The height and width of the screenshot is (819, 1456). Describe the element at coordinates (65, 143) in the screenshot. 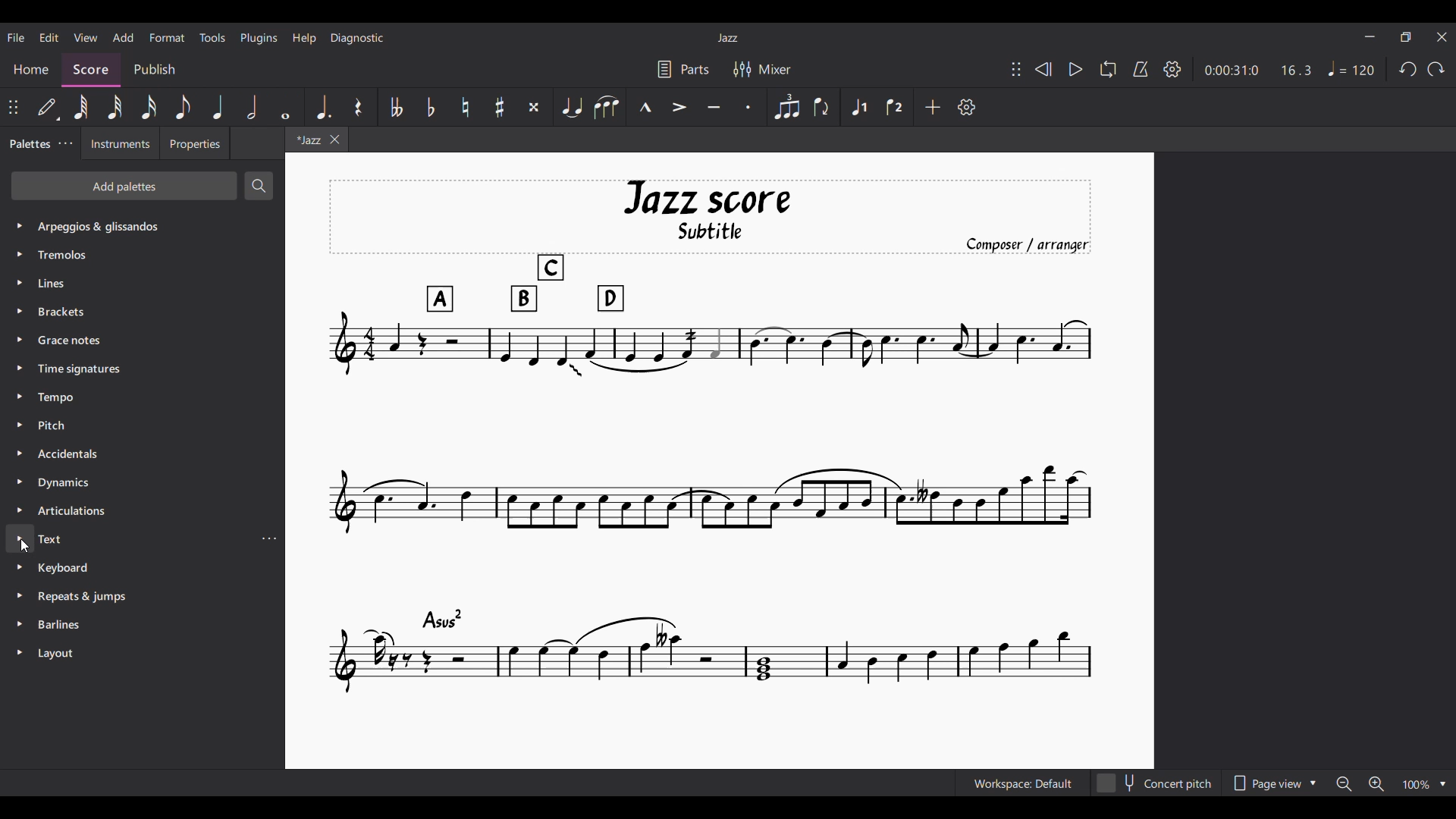

I see `Palette settings` at that location.